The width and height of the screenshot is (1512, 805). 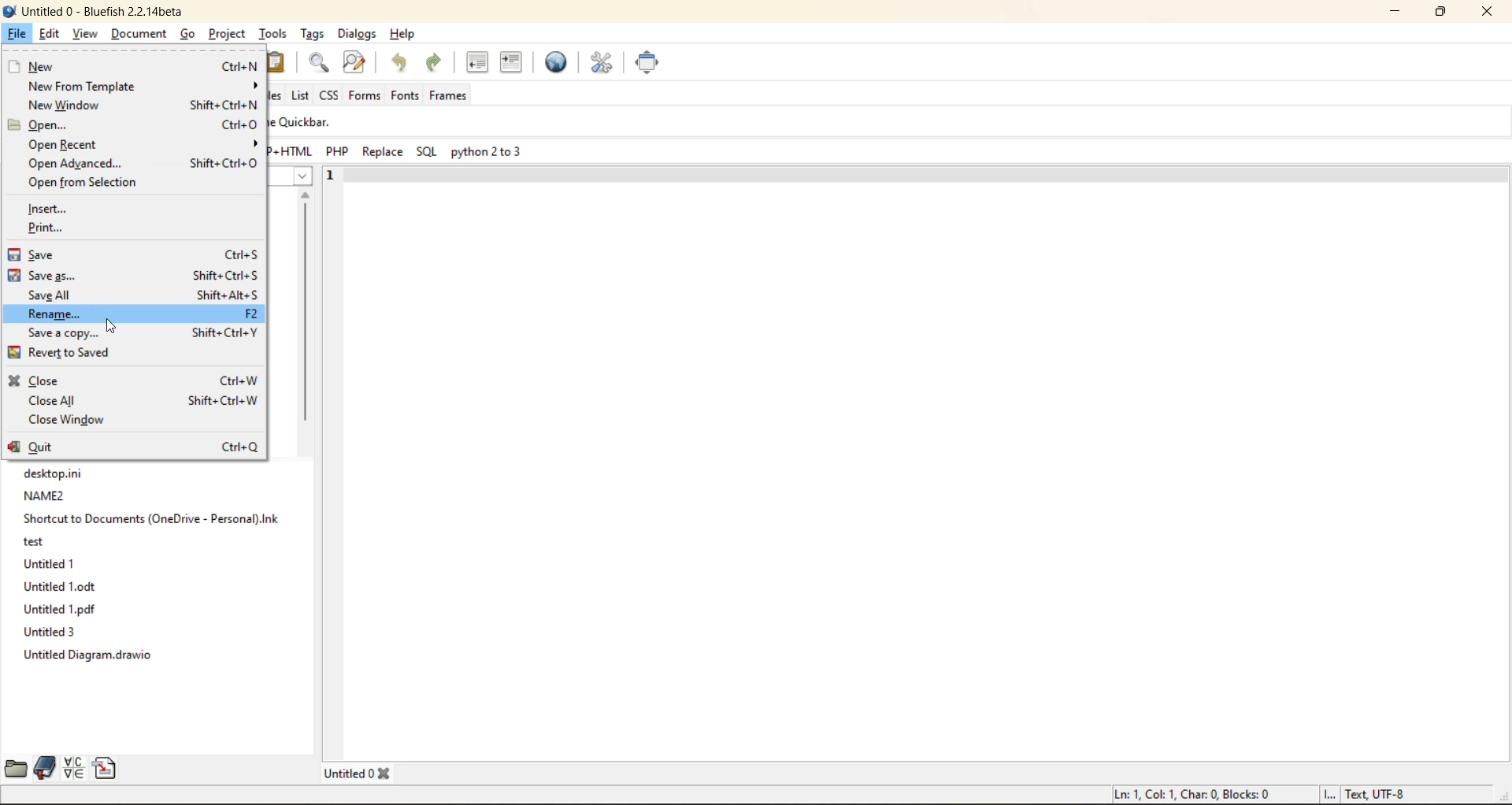 I want to click on Untitled 3, so click(x=47, y=632).